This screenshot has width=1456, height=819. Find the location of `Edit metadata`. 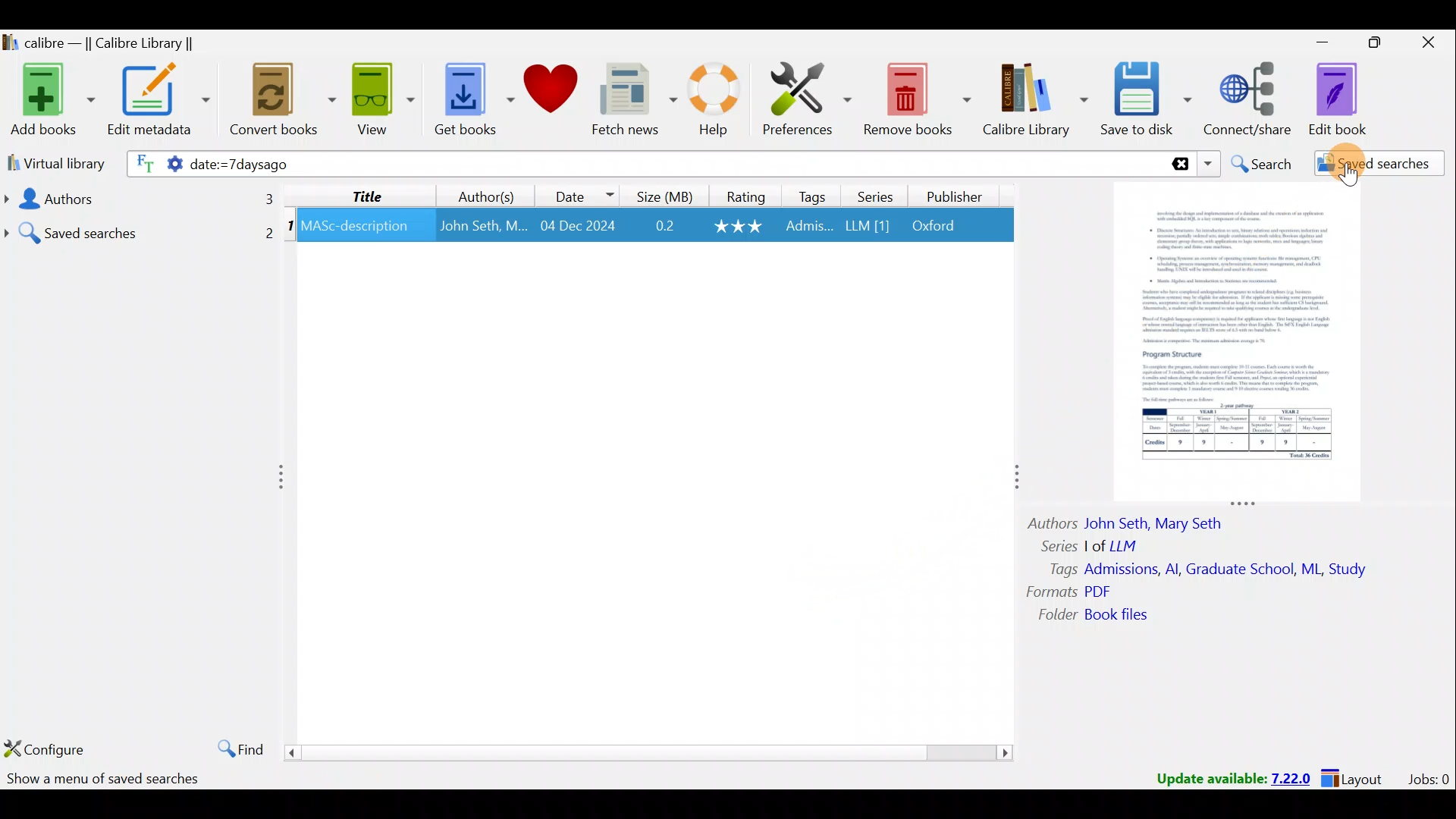

Edit metadata is located at coordinates (162, 102).